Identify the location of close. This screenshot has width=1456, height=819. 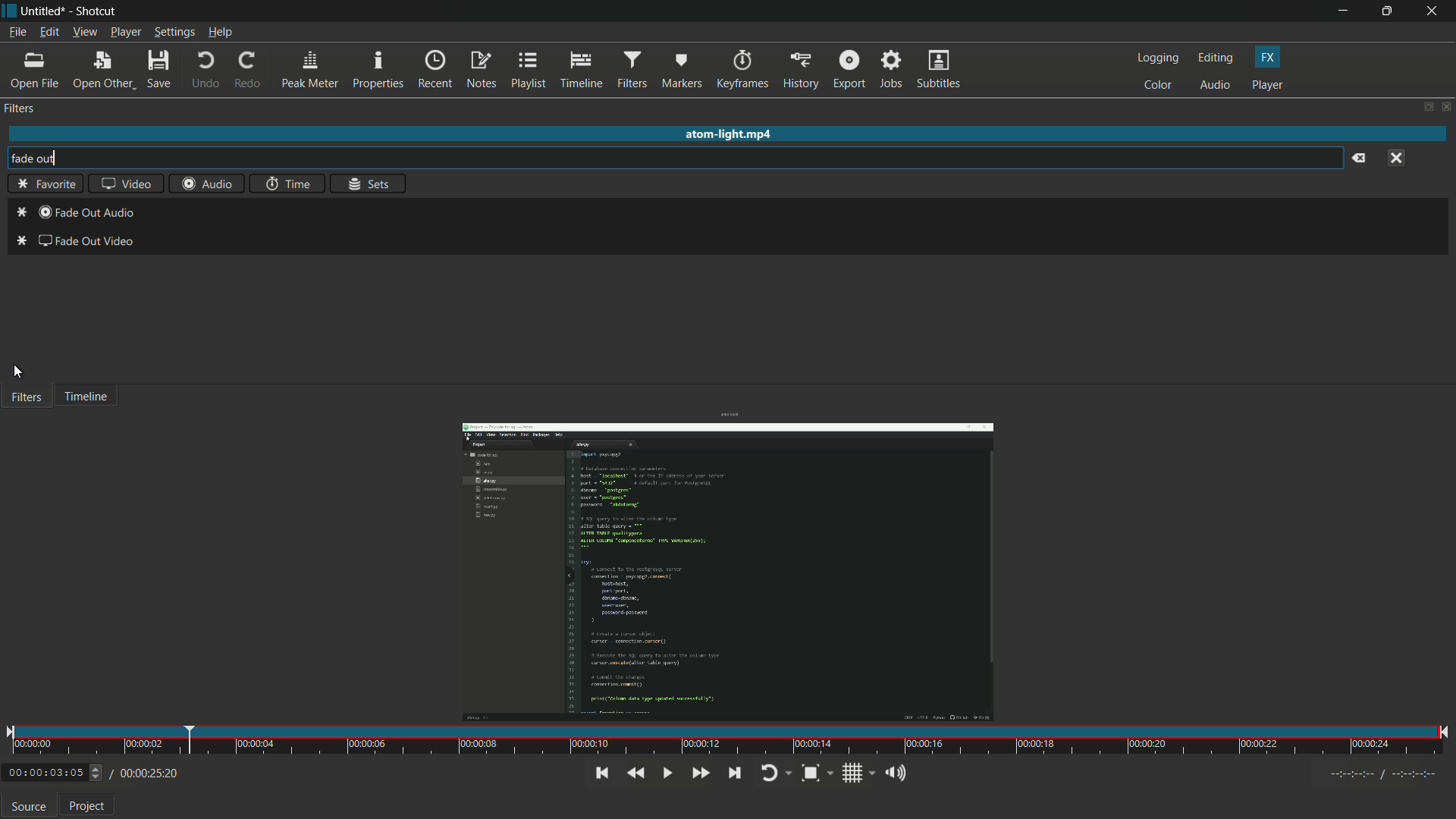
(1401, 156).